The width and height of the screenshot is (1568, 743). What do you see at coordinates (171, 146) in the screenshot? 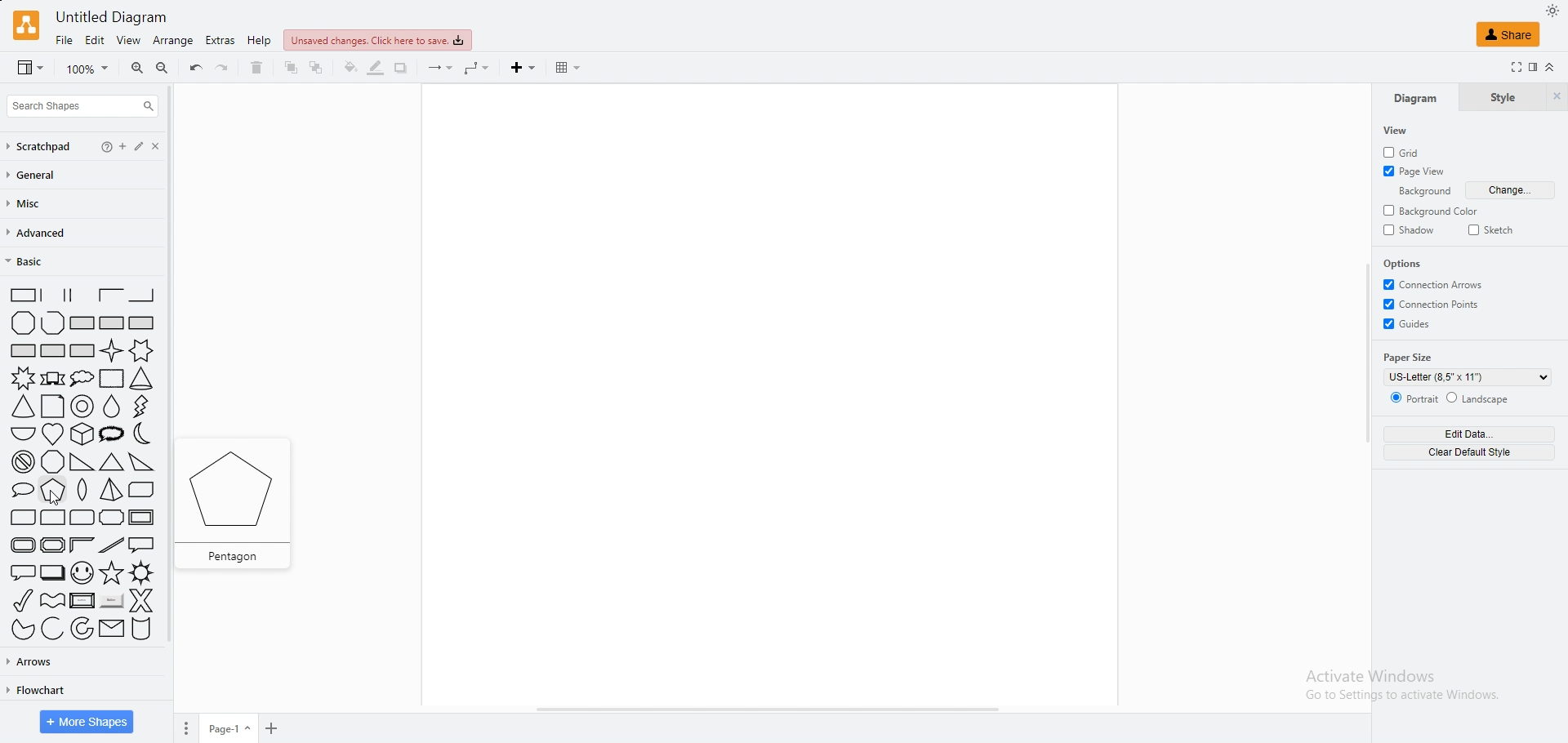
I see `close` at bounding box center [171, 146].